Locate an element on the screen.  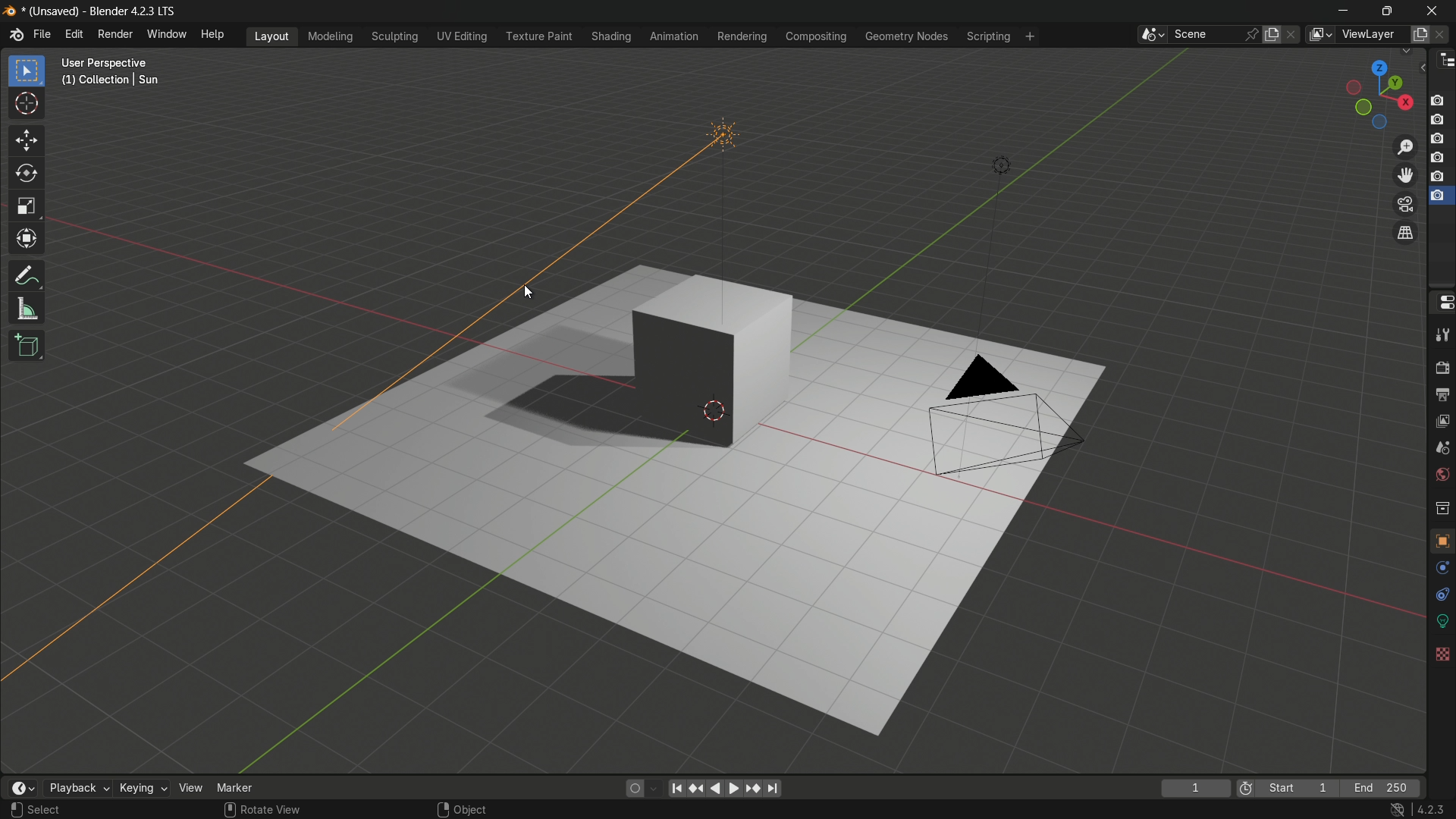
layer 5 is located at coordinates (1437, 177).